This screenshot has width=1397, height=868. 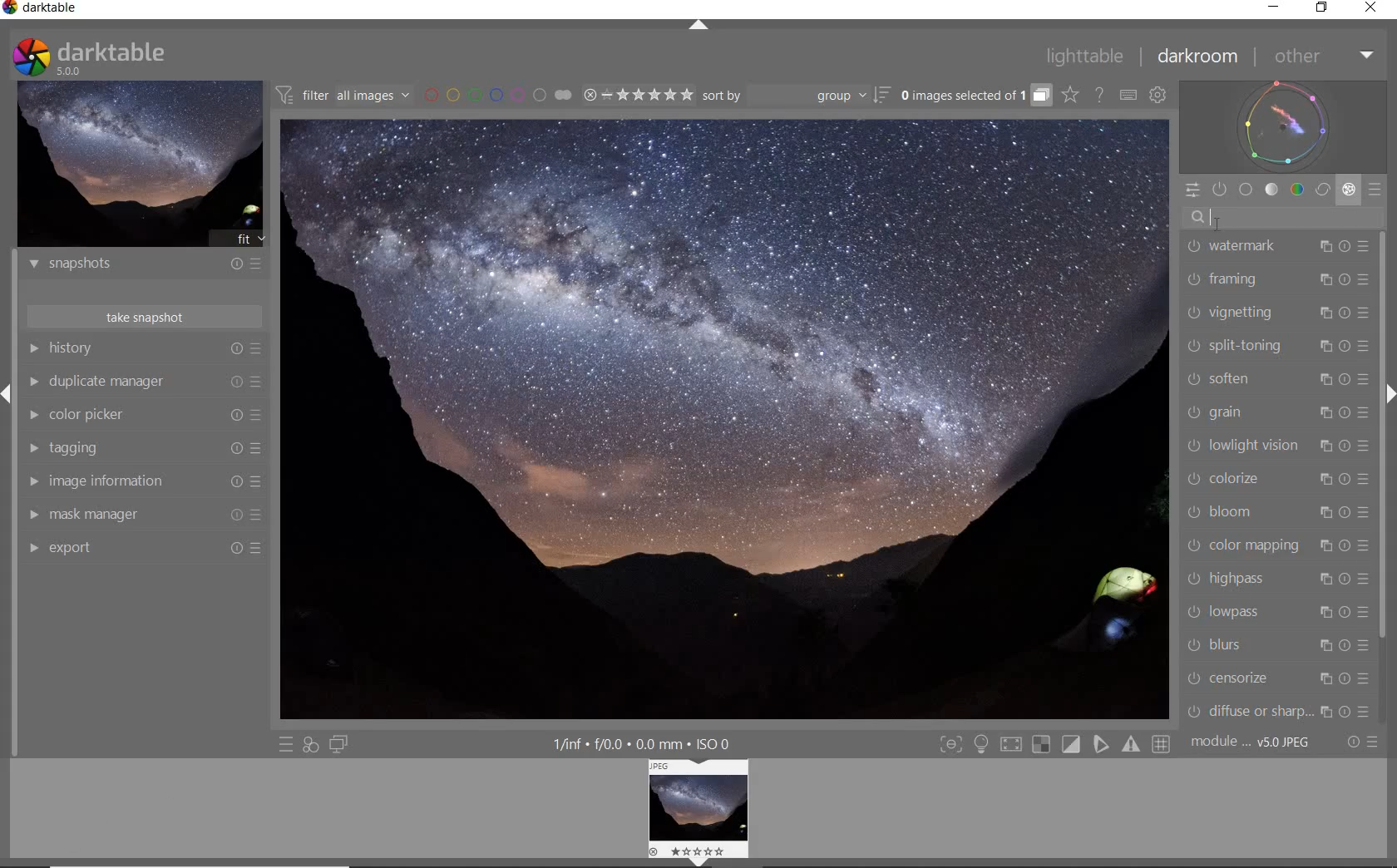 What do you see at coordinates (1196, 191) in the screenshot?
I see `QUICK ACCESS PANEL` at bounding box center [1196, 191].